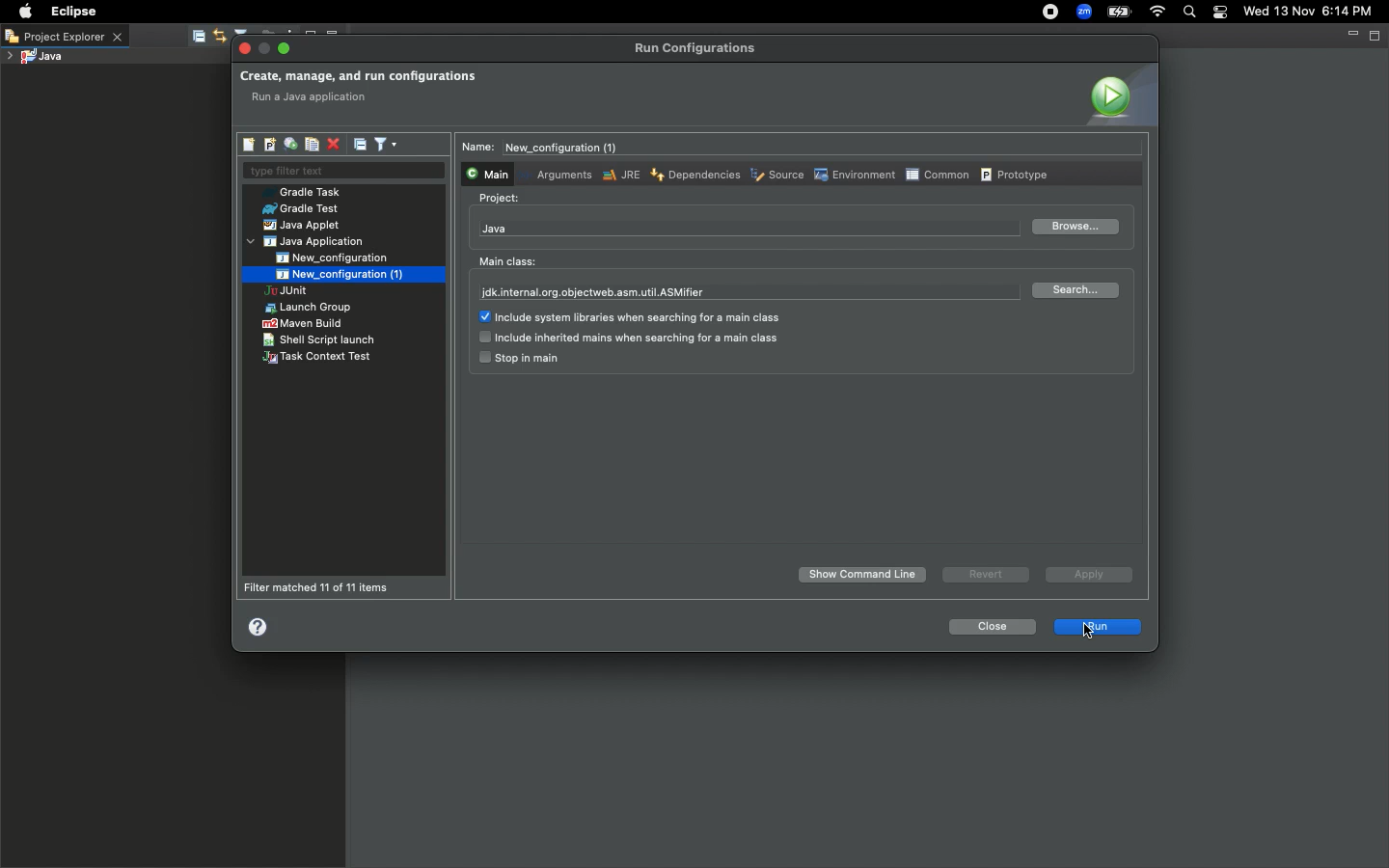  Describe the element at coordinates (560, 174) in the screenshot. I see `Arguments` at that location.